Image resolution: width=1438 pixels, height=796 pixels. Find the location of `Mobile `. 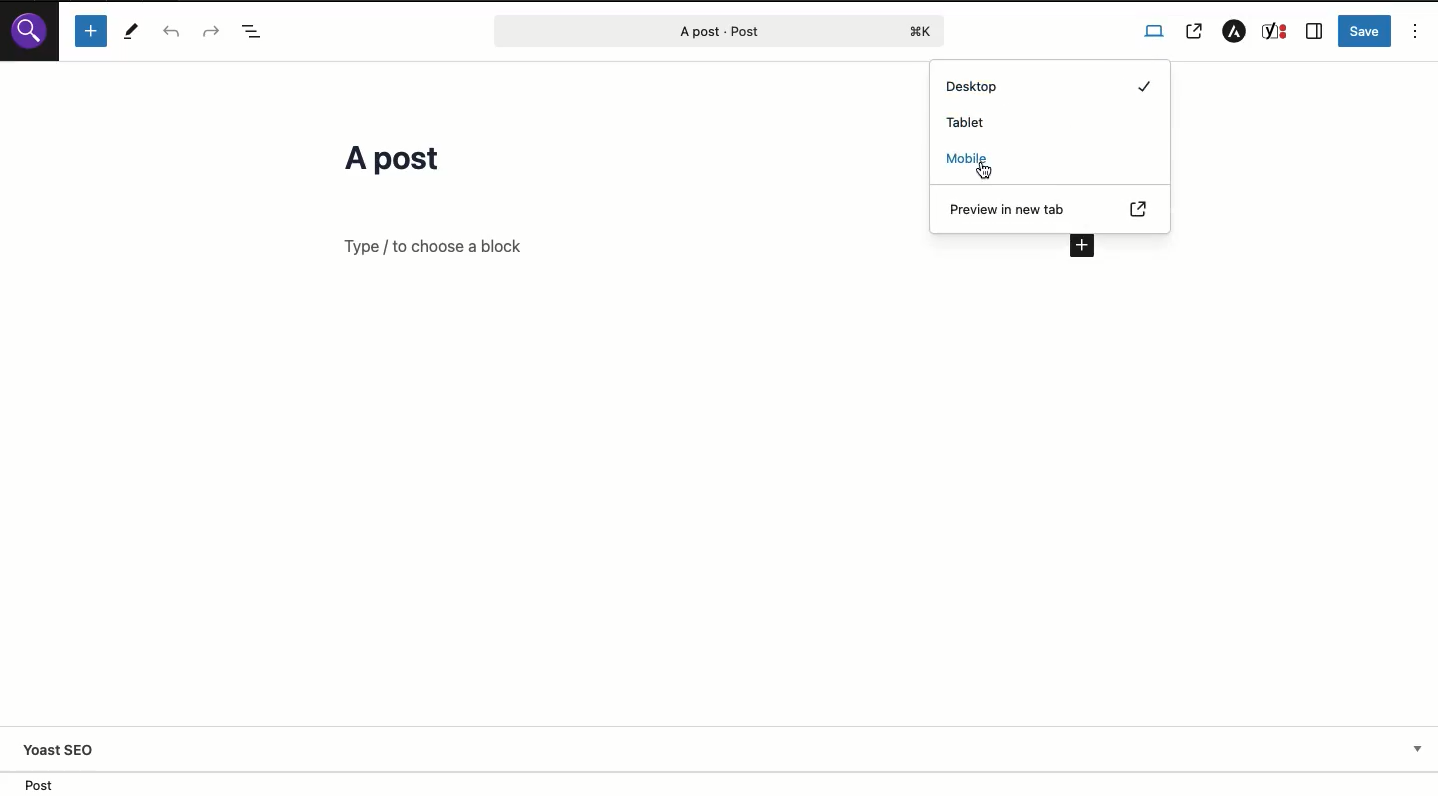

Mobile  is located at coordinates (969, 160).